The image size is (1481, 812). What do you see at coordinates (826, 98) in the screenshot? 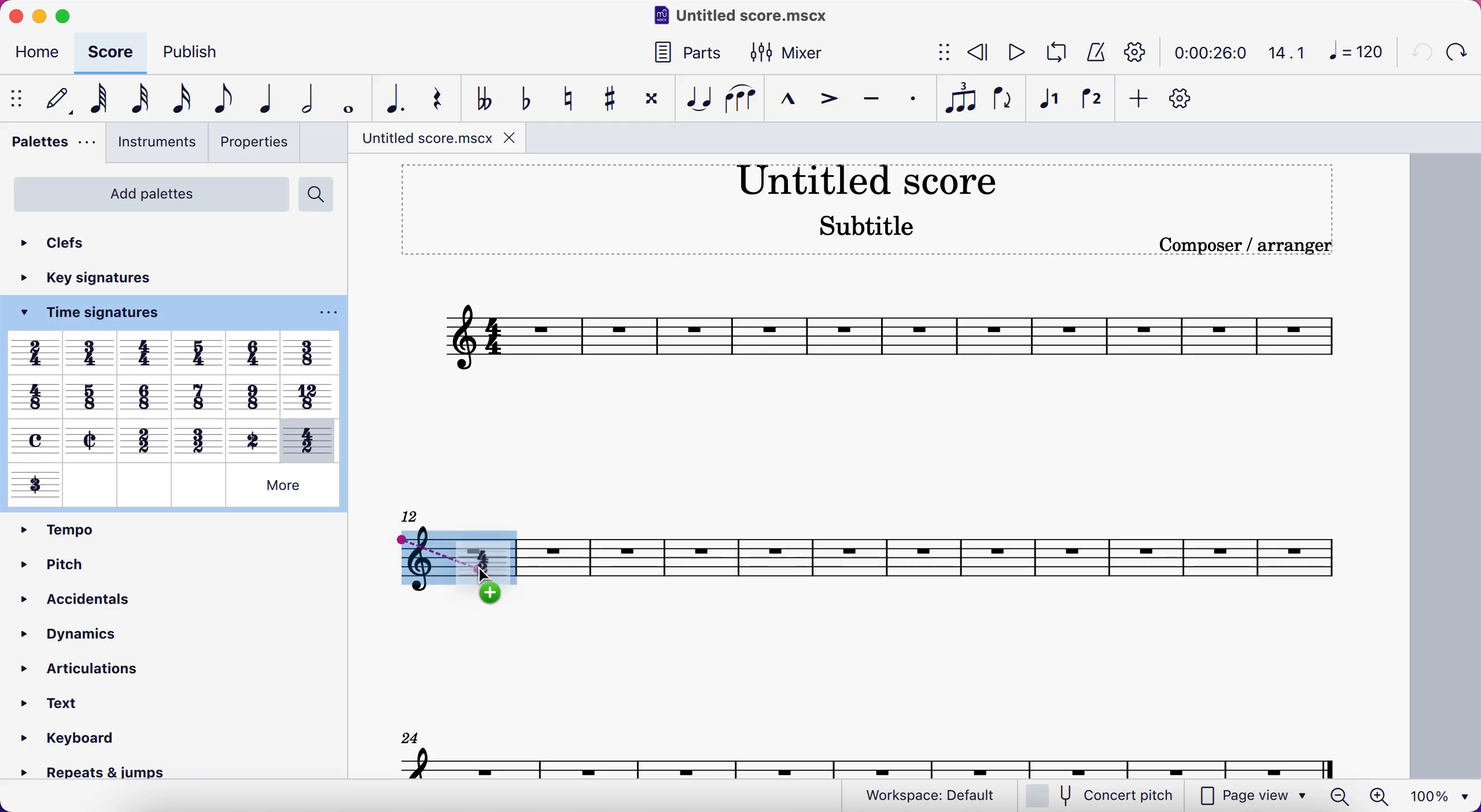
I see `accent` at bounding box center [826, 98].